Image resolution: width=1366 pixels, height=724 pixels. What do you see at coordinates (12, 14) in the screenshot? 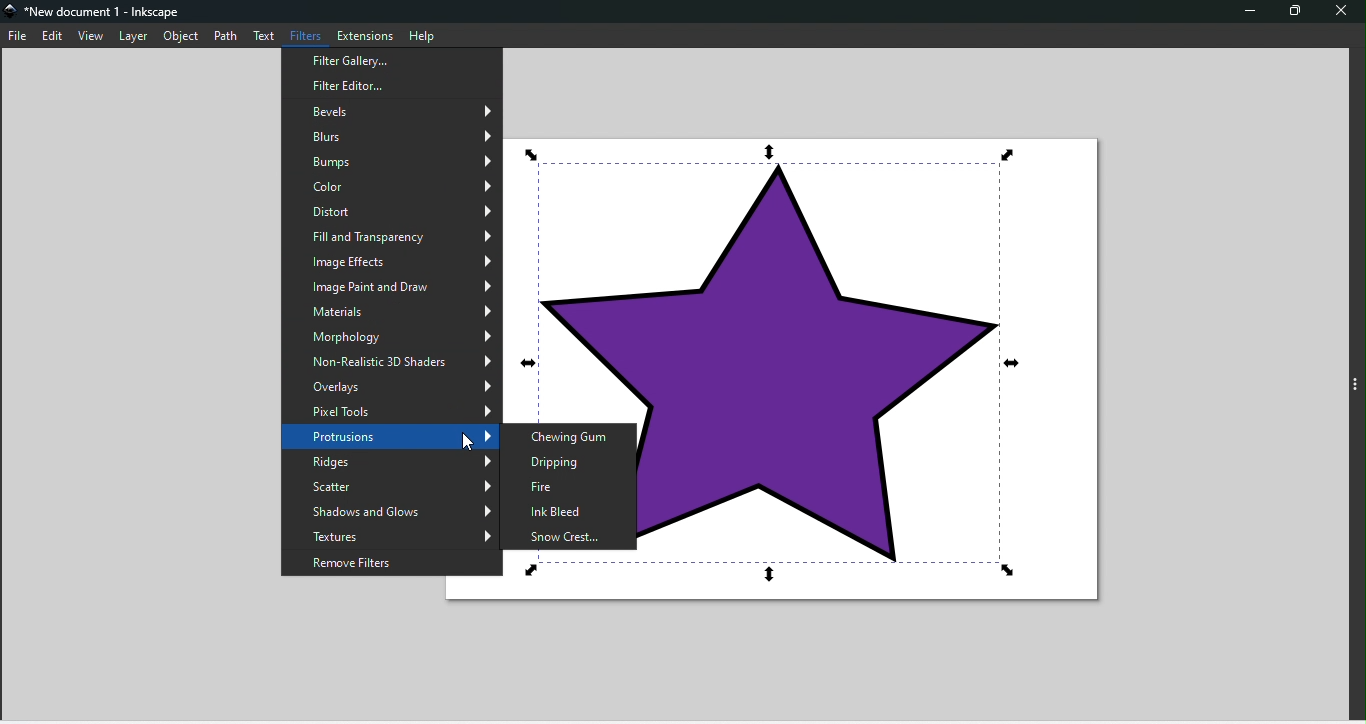
I see `logo` at bounding box center [12, 14].